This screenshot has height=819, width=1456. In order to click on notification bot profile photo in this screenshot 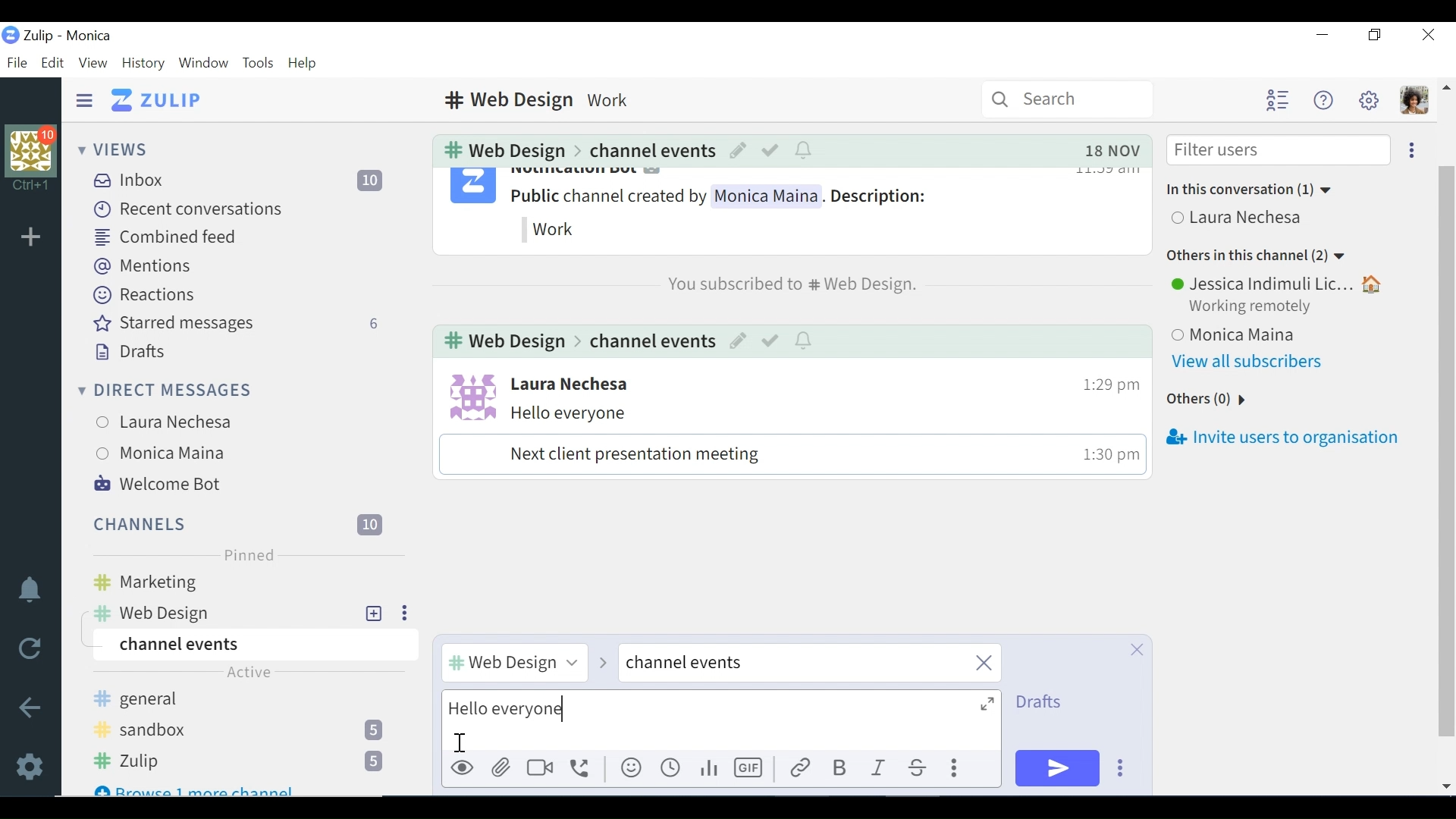, I will do `click(472, 188)`.